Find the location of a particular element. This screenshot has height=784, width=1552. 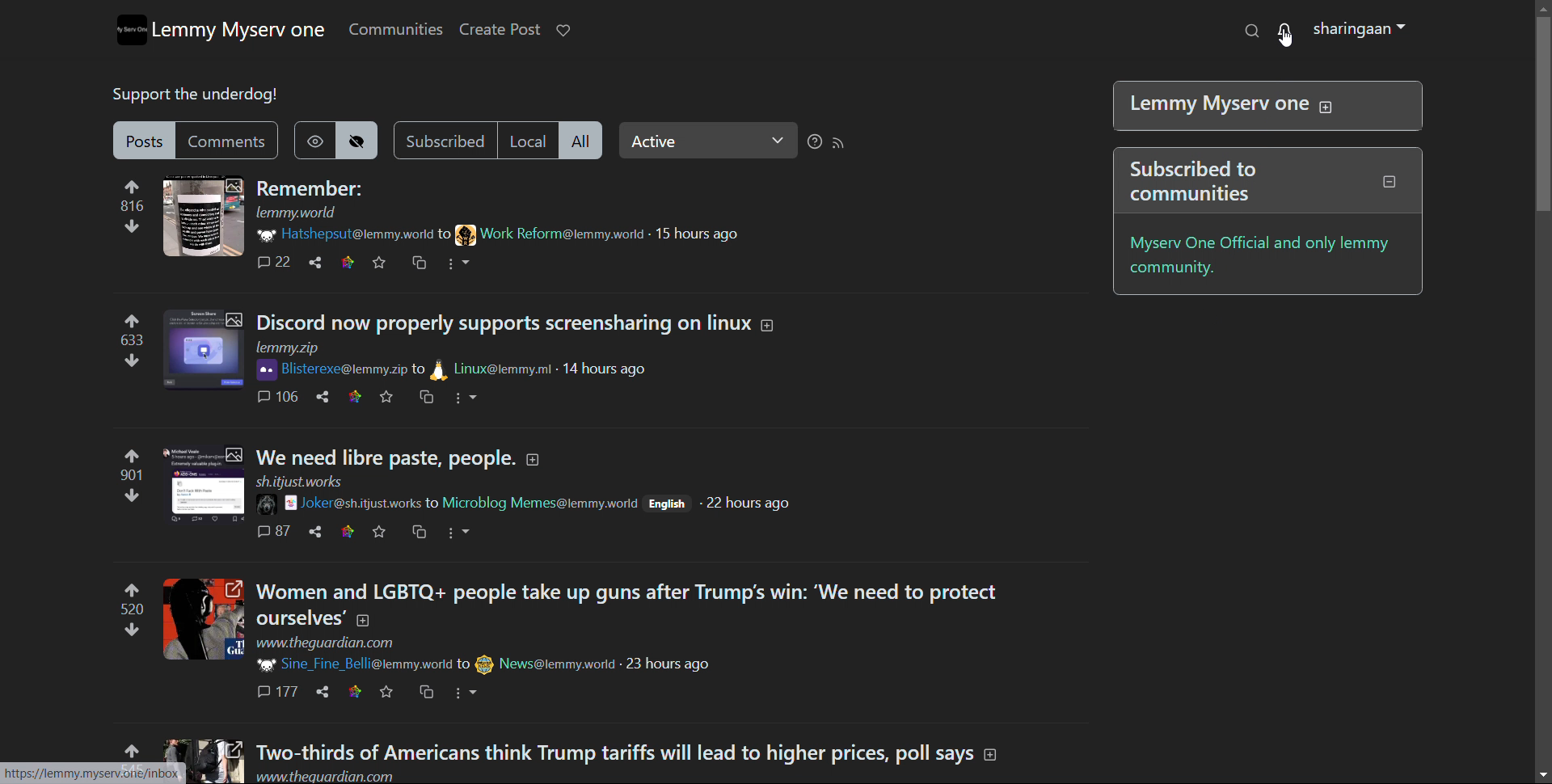

comment is located at coordinates (274, 531).